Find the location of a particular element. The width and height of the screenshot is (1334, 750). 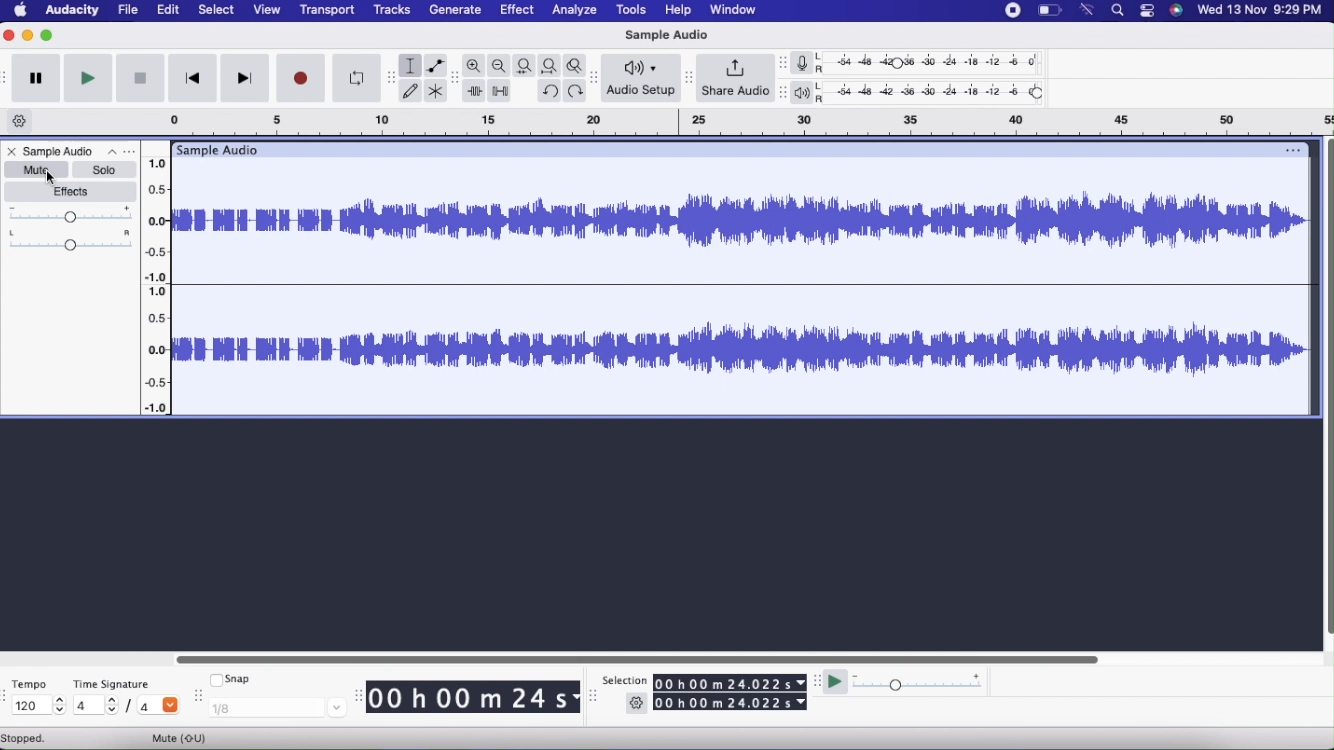

Window is located at coordinates (730, 10).